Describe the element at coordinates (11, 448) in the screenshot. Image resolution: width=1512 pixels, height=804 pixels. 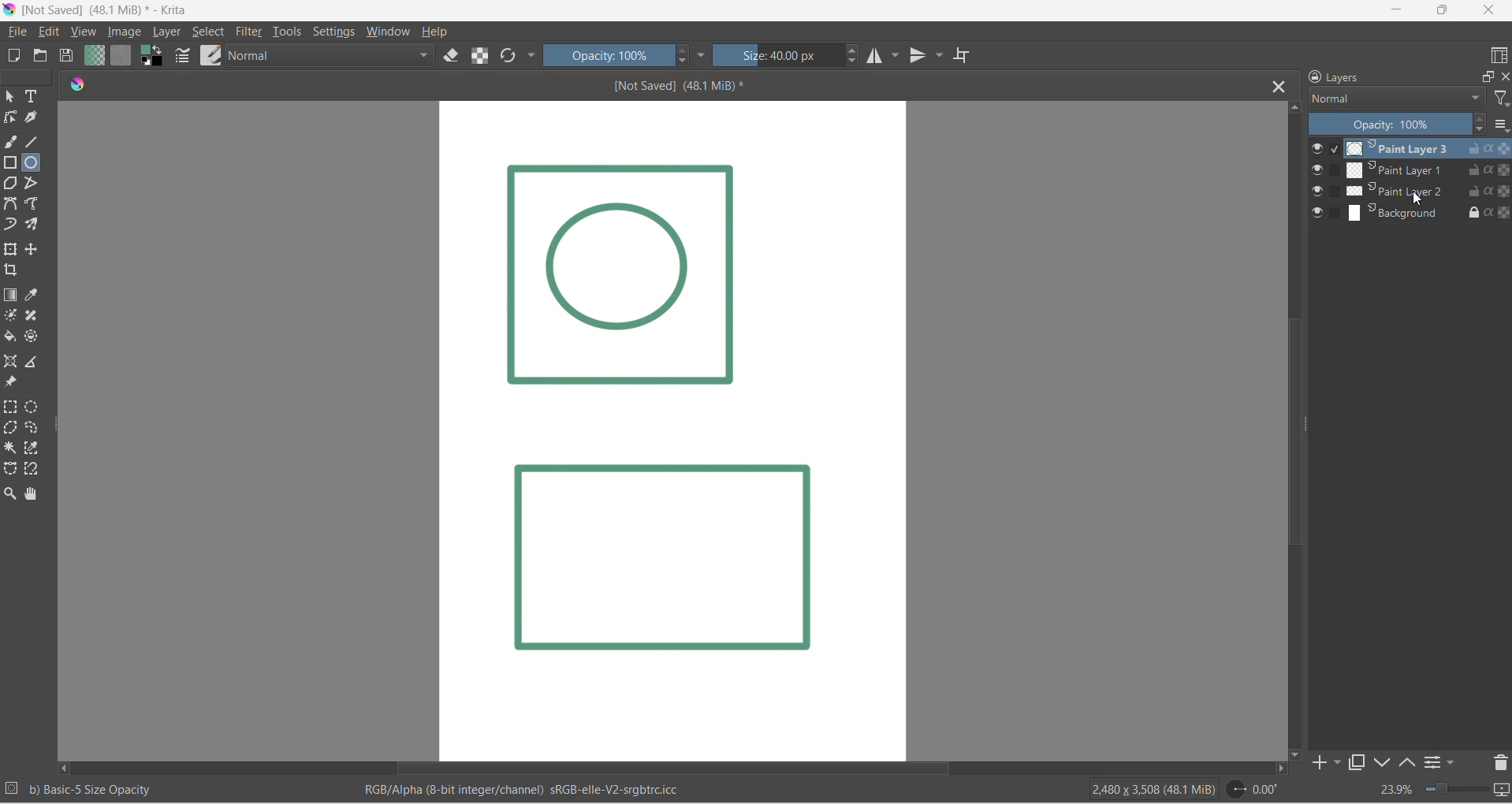
I see `contigous selection stool` at that location.